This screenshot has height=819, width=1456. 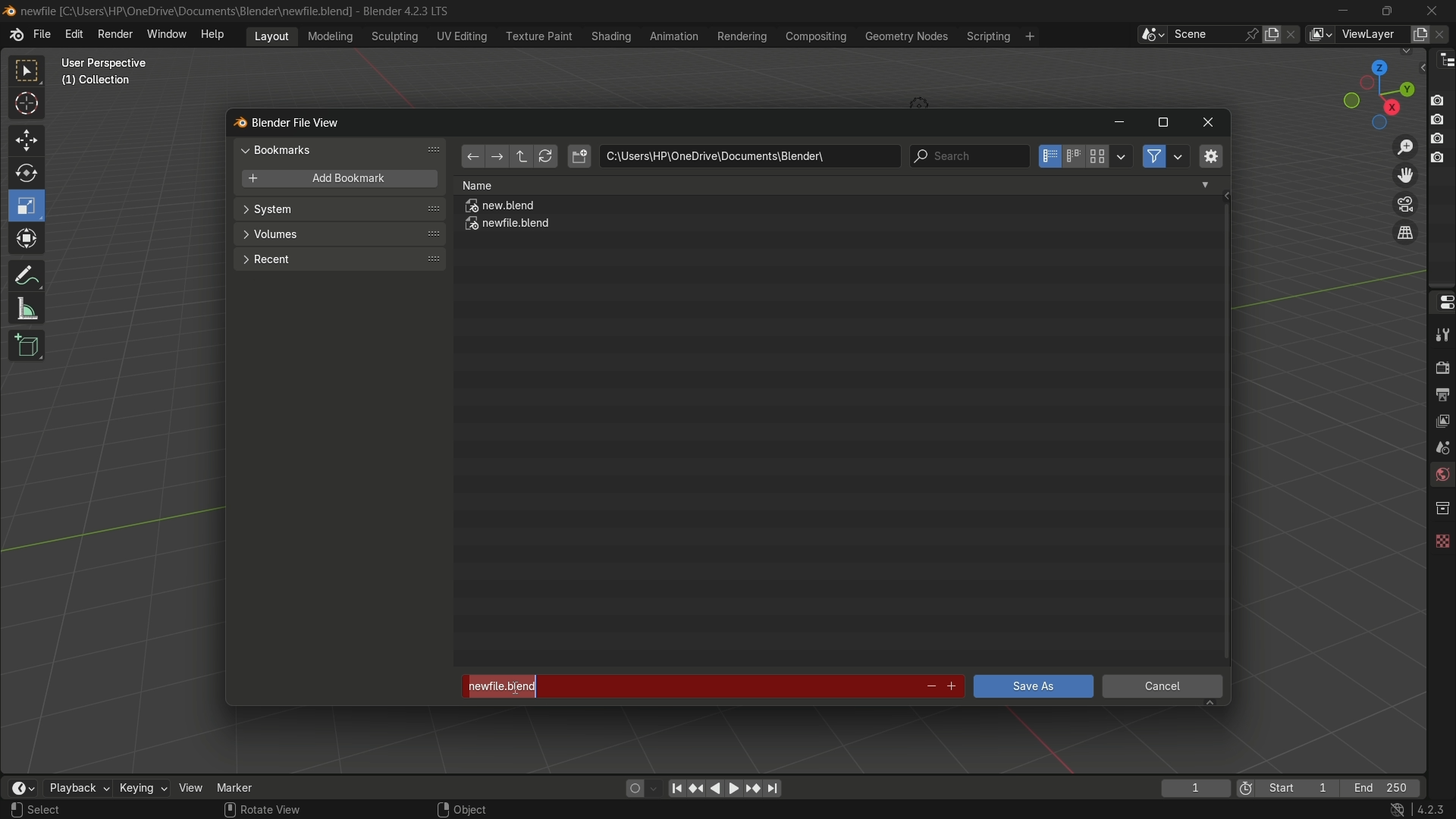 I want to click on transform, so click(x=28, y=240).